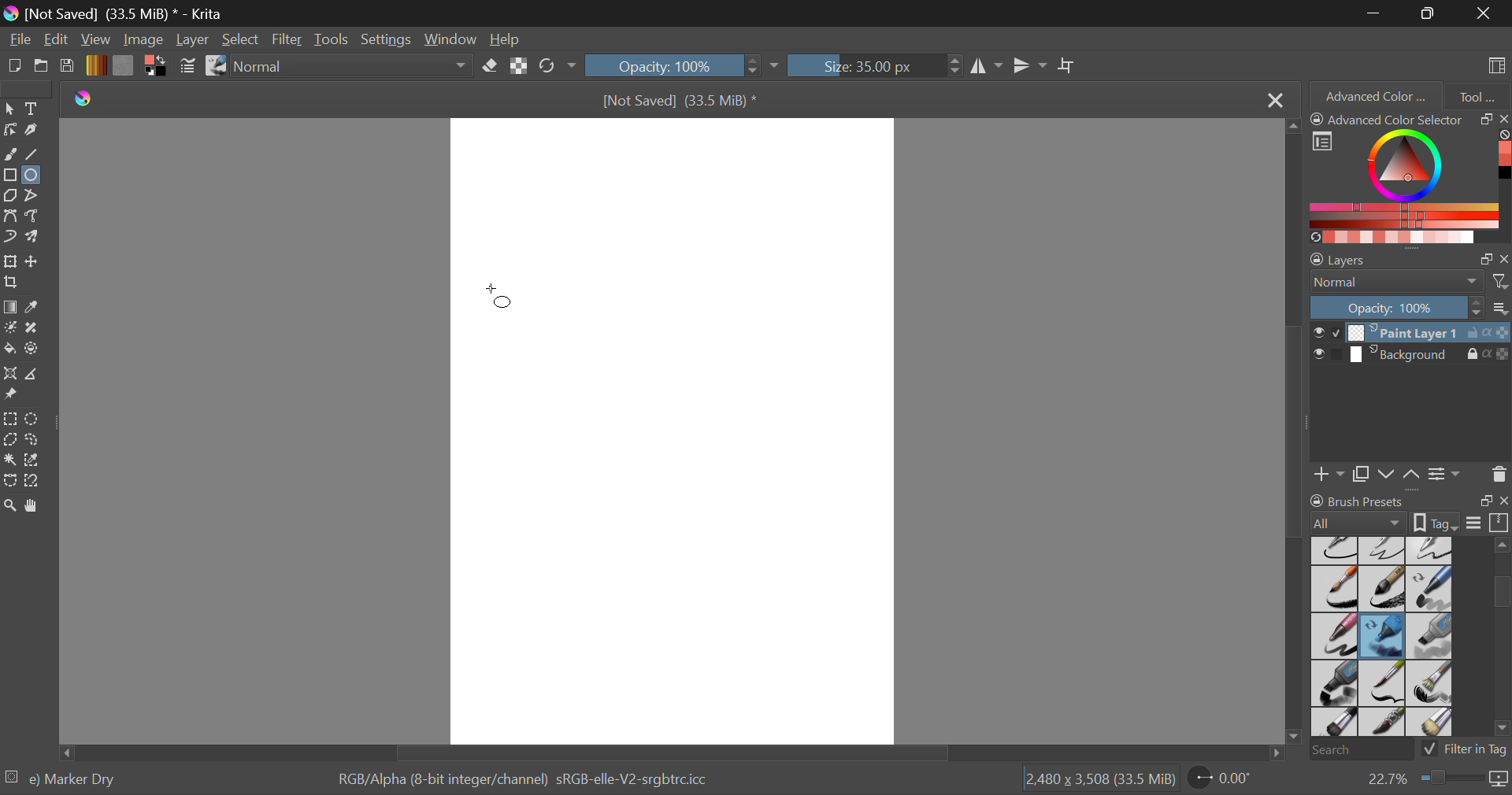 The width and height of the screenshot is (1512, 795). Describe the element at coordinates (10, 505) in the screenshot. I see `Zoom Tool` at that location.